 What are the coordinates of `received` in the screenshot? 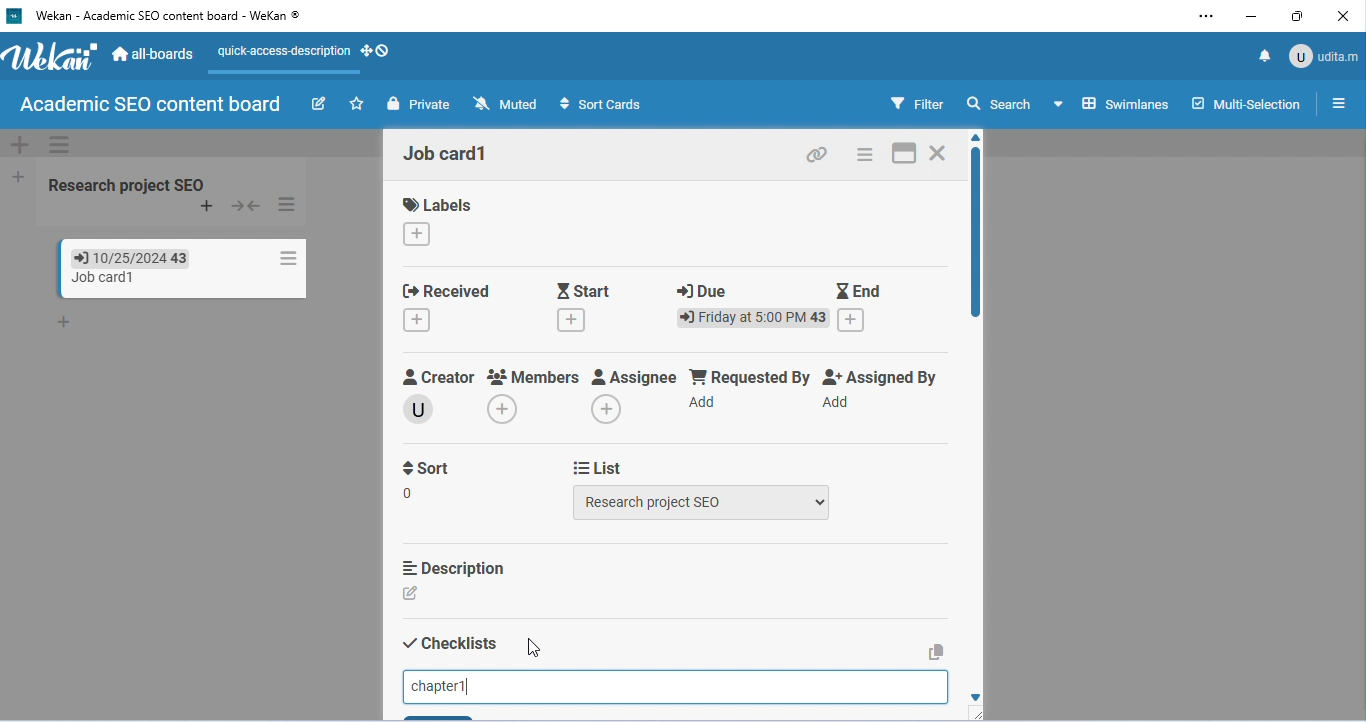 It's located at (446, 289).